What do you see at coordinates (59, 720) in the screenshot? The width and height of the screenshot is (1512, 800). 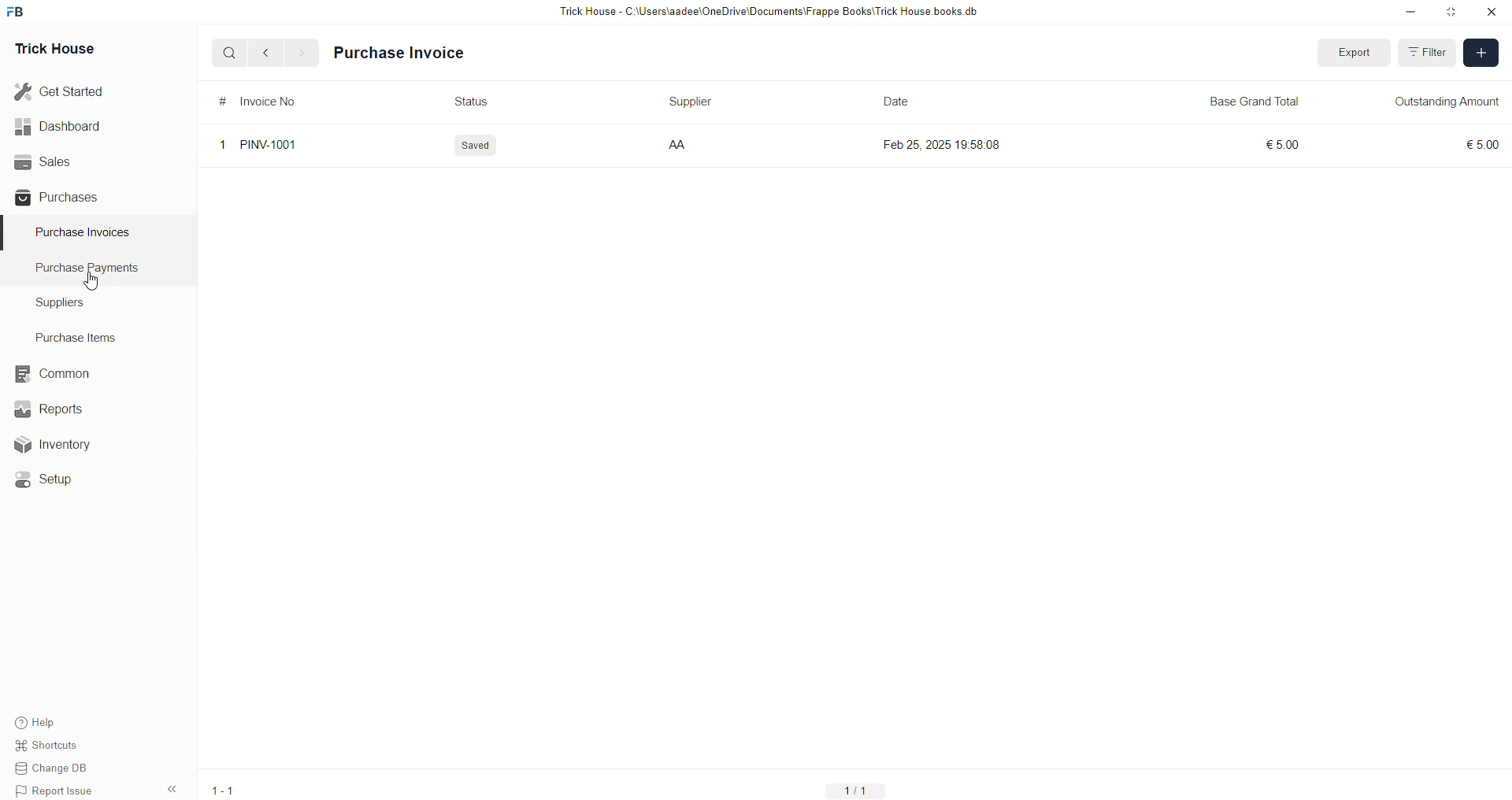 I see ` Help` at bounding box center [59, 720].